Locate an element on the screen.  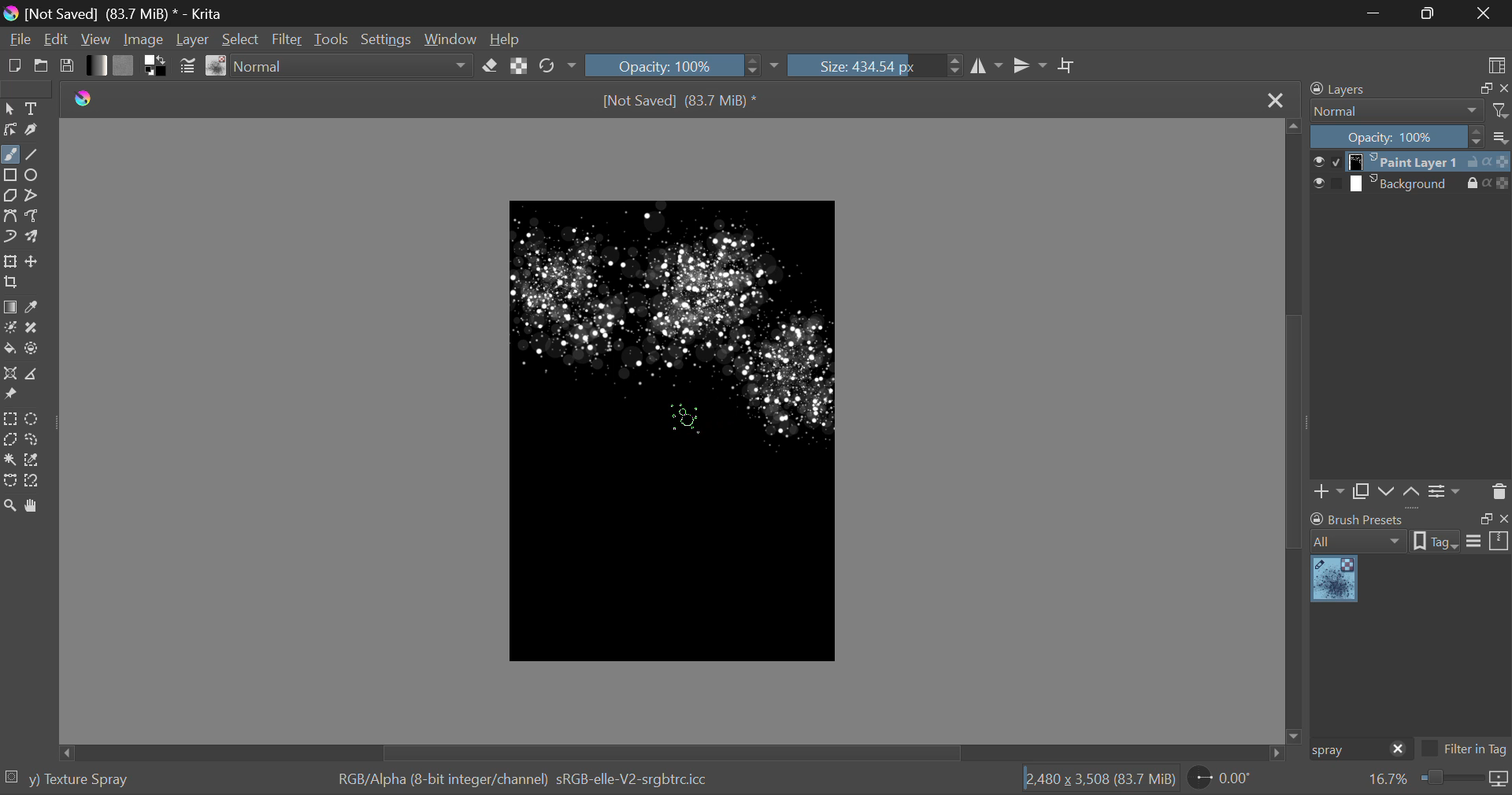
Enclose and Fill is located at coordinates (32, 350).